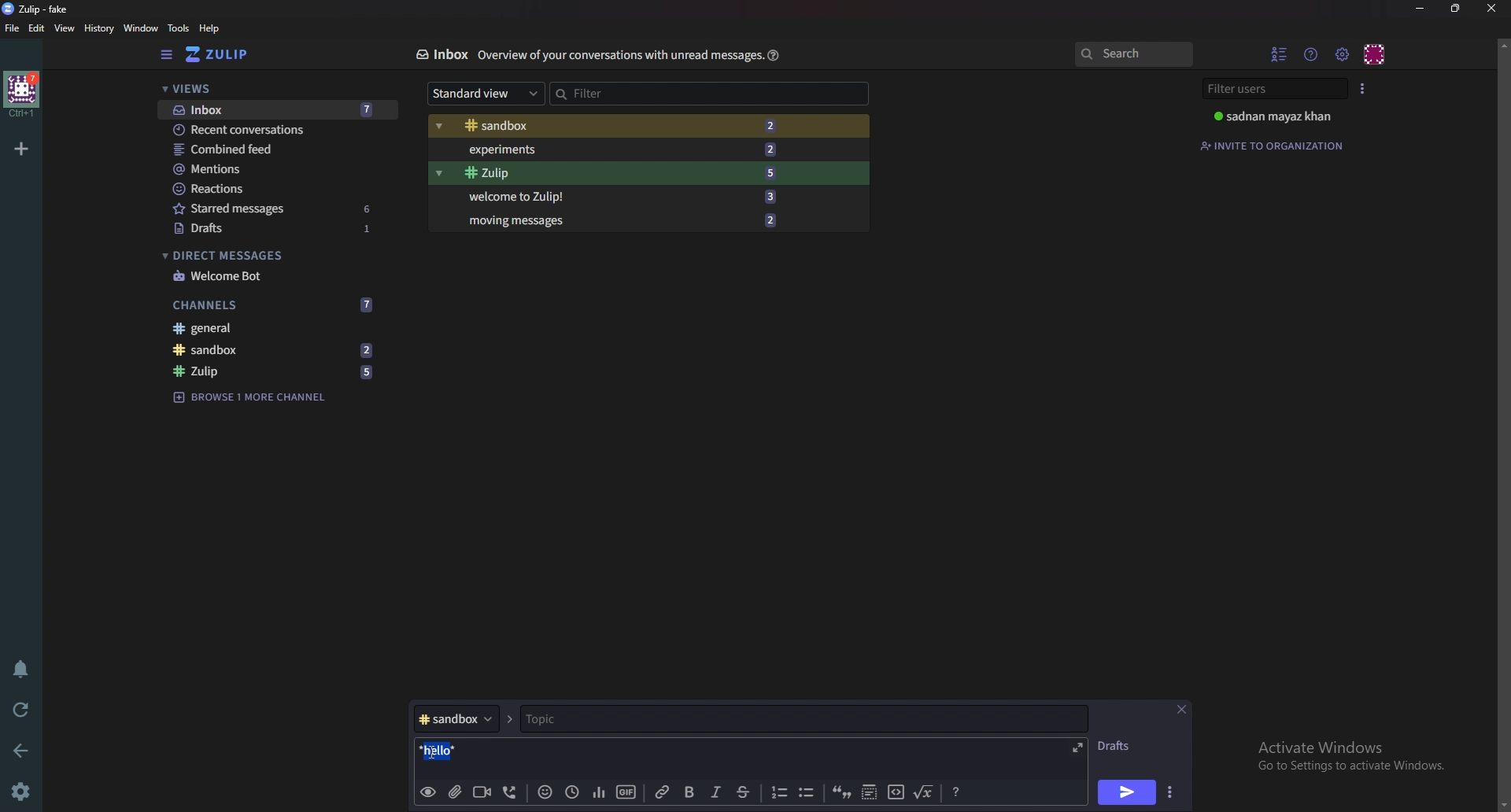 This screenshot has height=812, width=1511. What do you see at coordinates (1365, 88) in the screenshot?
I see `User list style` at bounding box center [1365, 88].